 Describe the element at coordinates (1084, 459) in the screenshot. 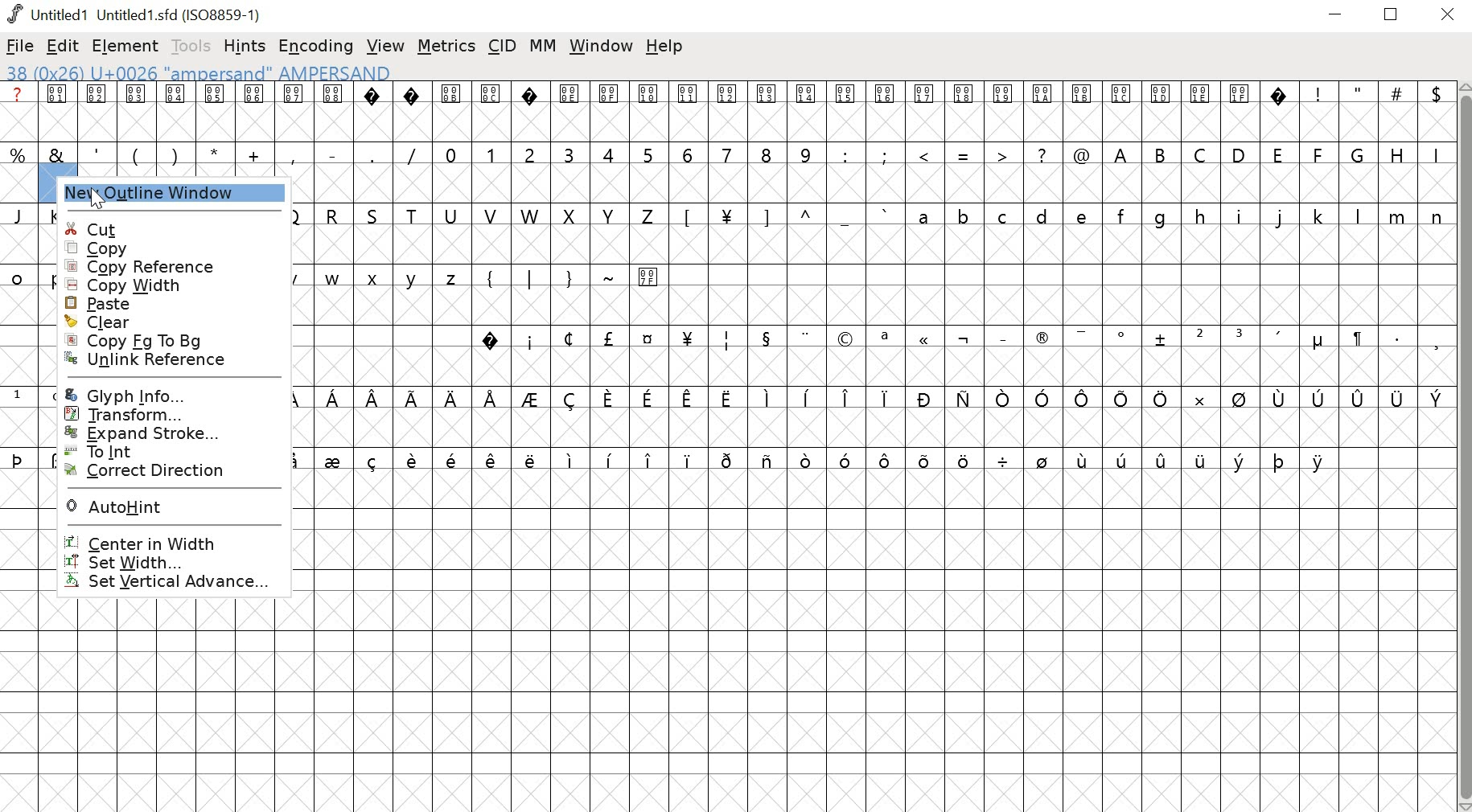

I see `symbol` at that location.